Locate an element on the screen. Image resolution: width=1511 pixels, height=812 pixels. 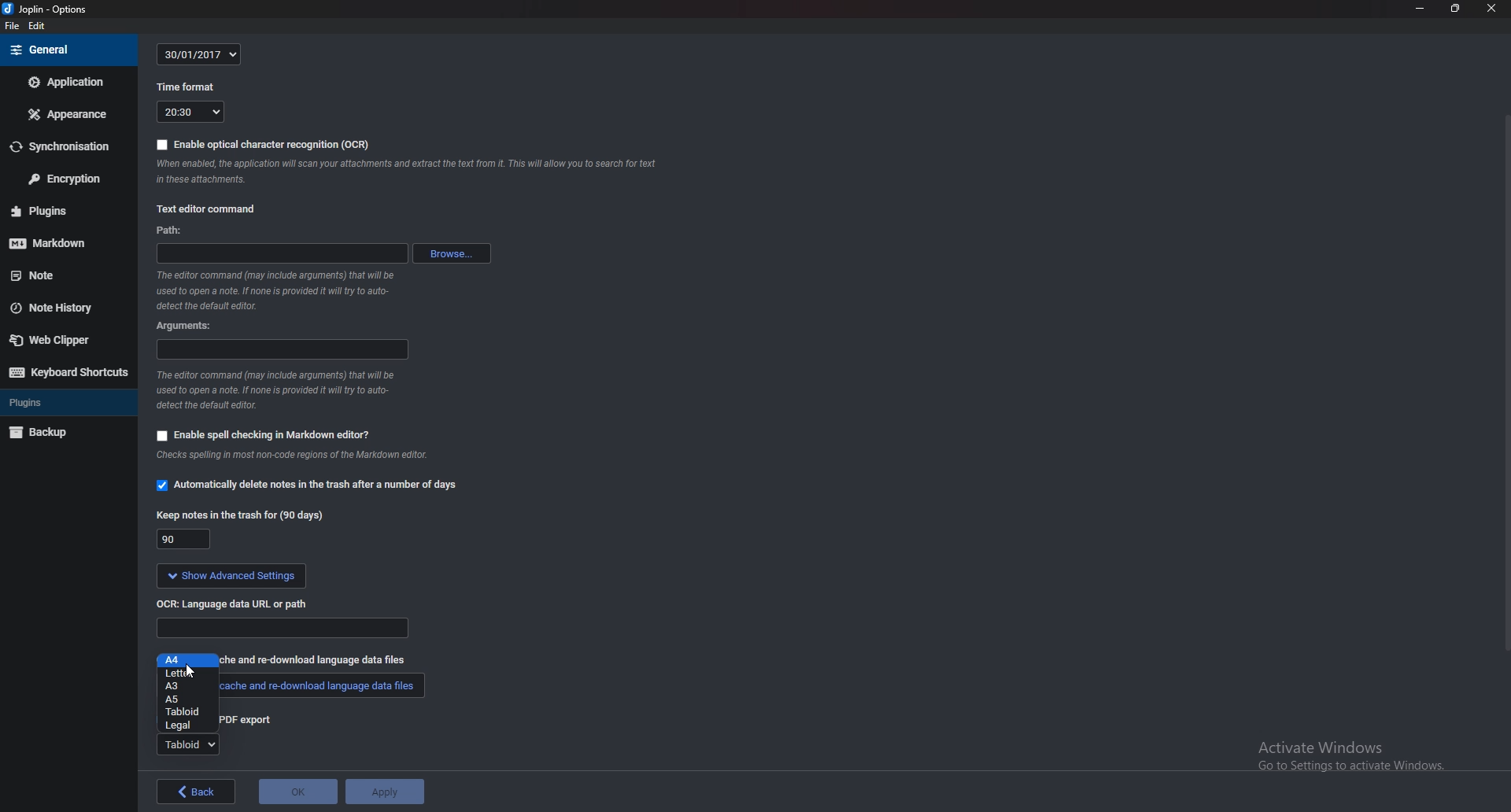
re-download language data files is located at coordinates (342, 659).